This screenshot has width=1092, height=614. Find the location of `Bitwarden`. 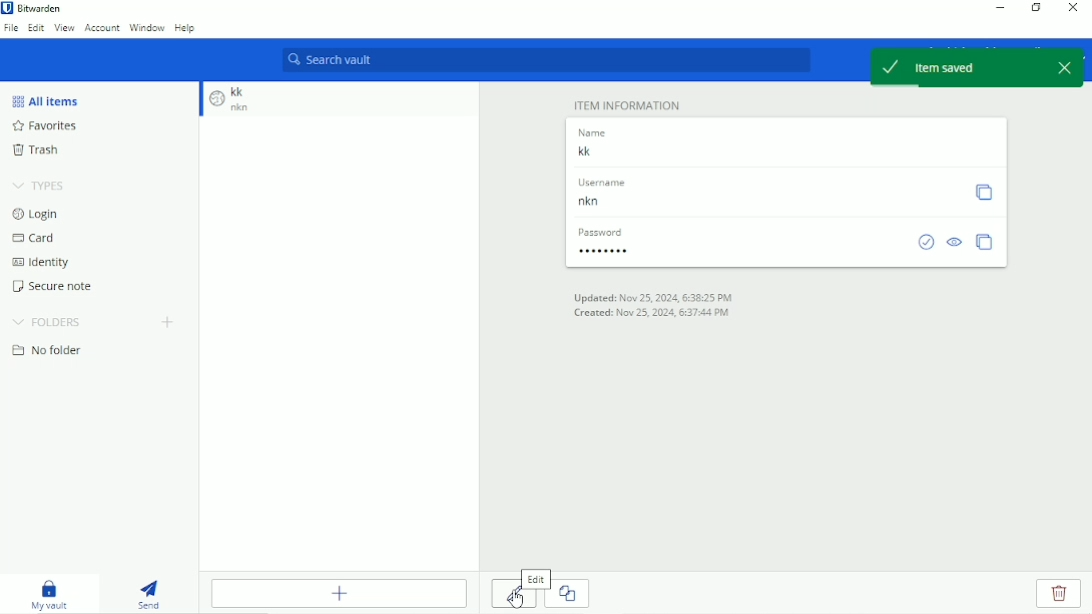

Bitwarden is located at coordinates (35, 9).